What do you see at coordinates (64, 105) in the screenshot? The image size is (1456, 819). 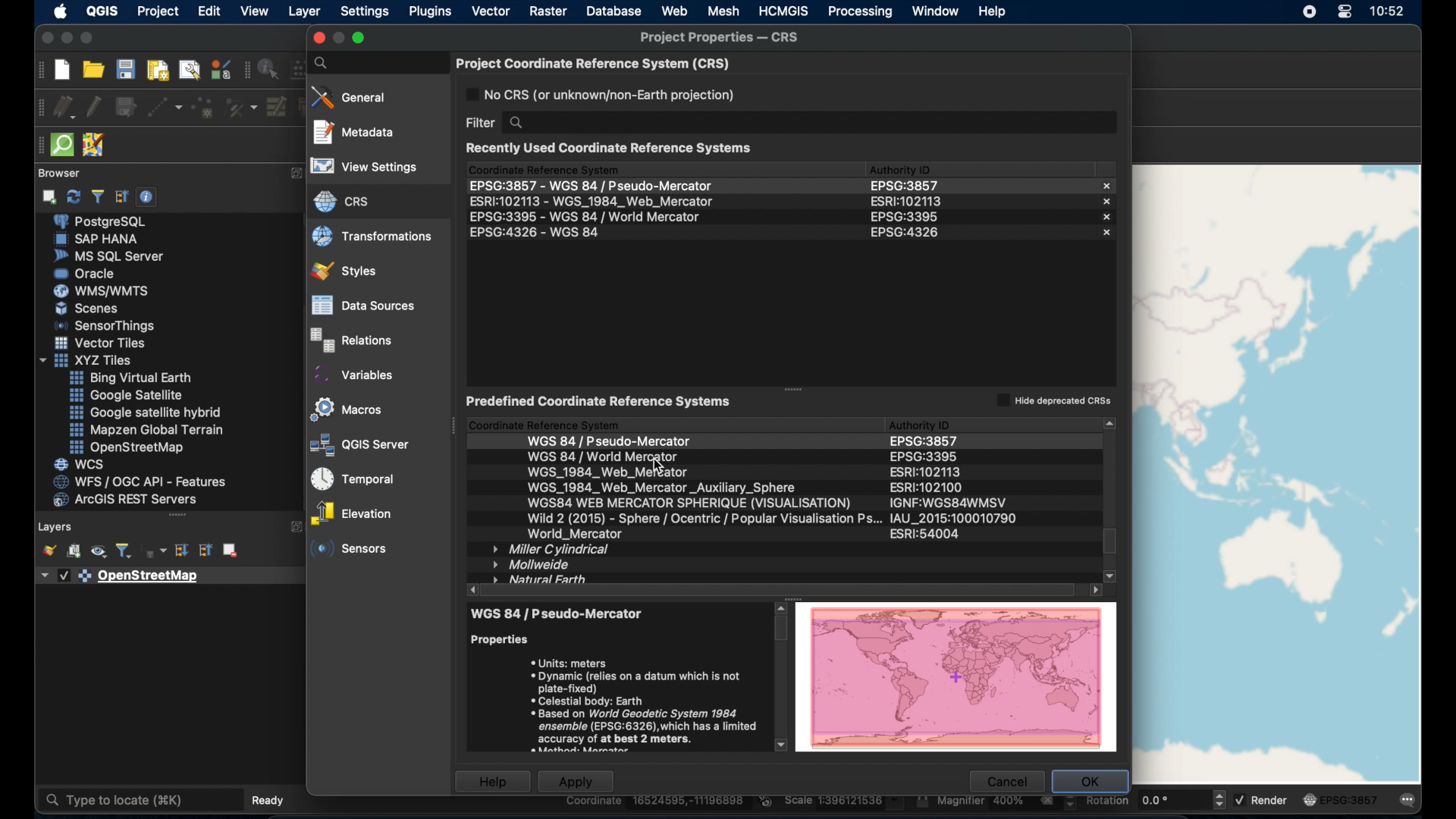 I see `current edits` at bounding box center [64, 105].